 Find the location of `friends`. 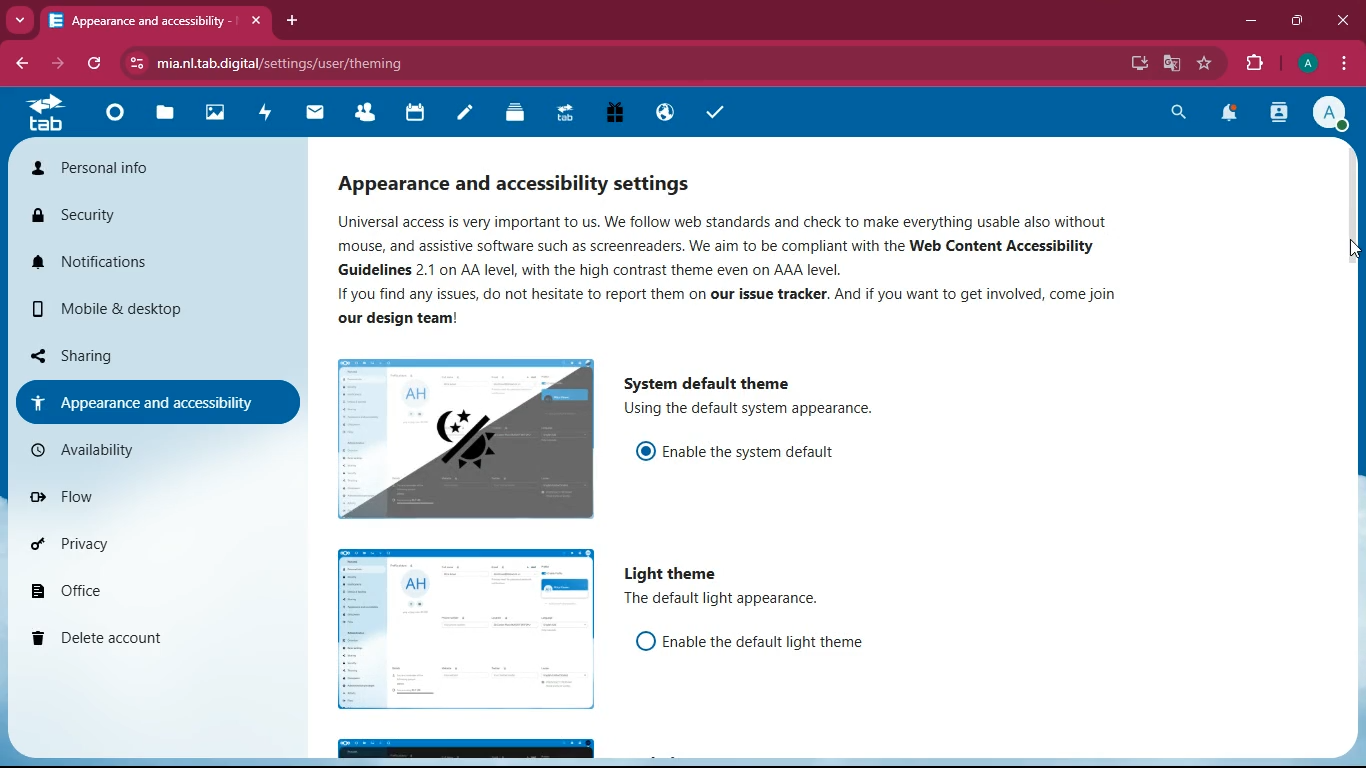

friends is located at coordinates (363, 116).